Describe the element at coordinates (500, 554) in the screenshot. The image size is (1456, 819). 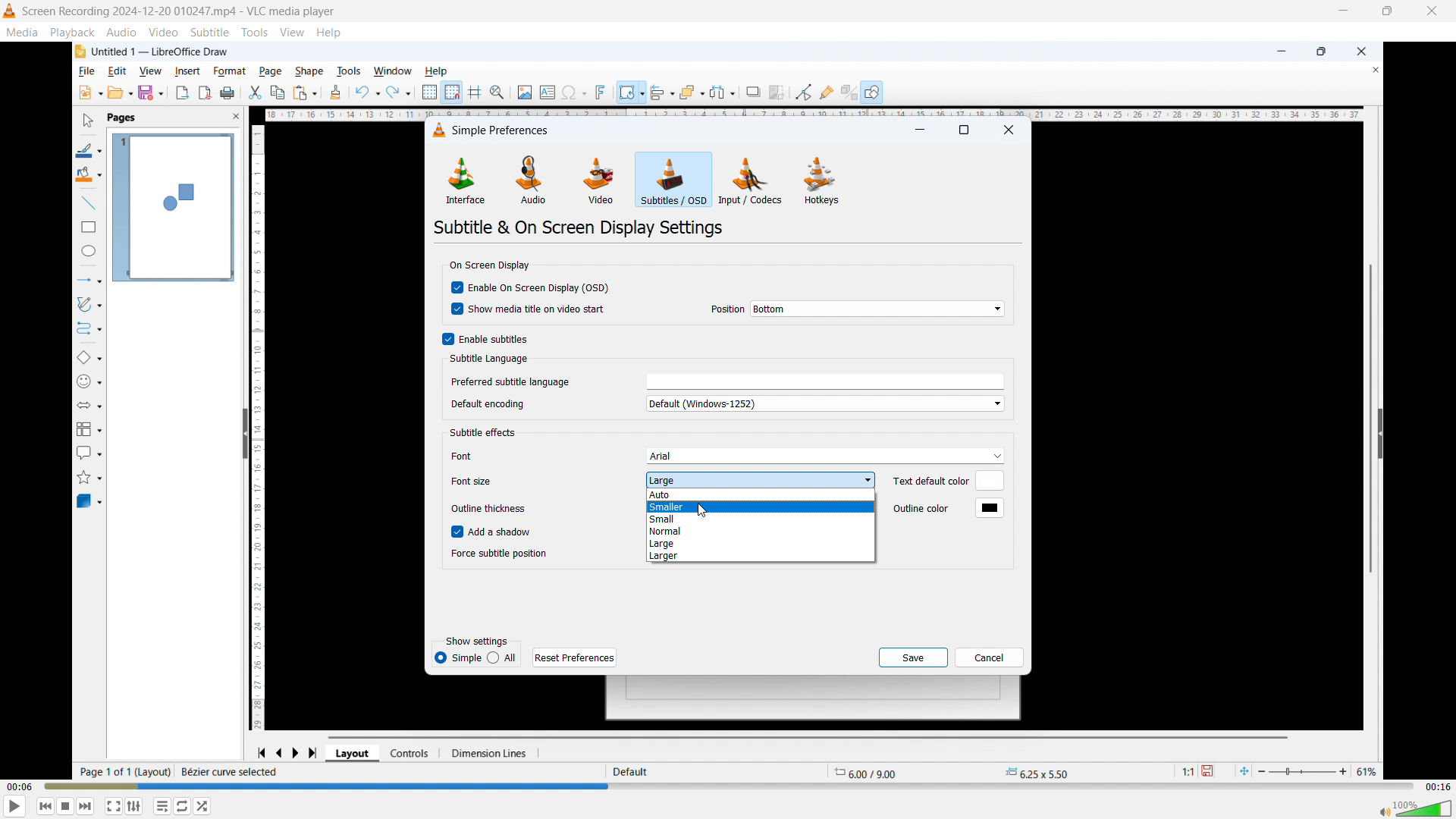
I see `Force subtitle position` at that location.